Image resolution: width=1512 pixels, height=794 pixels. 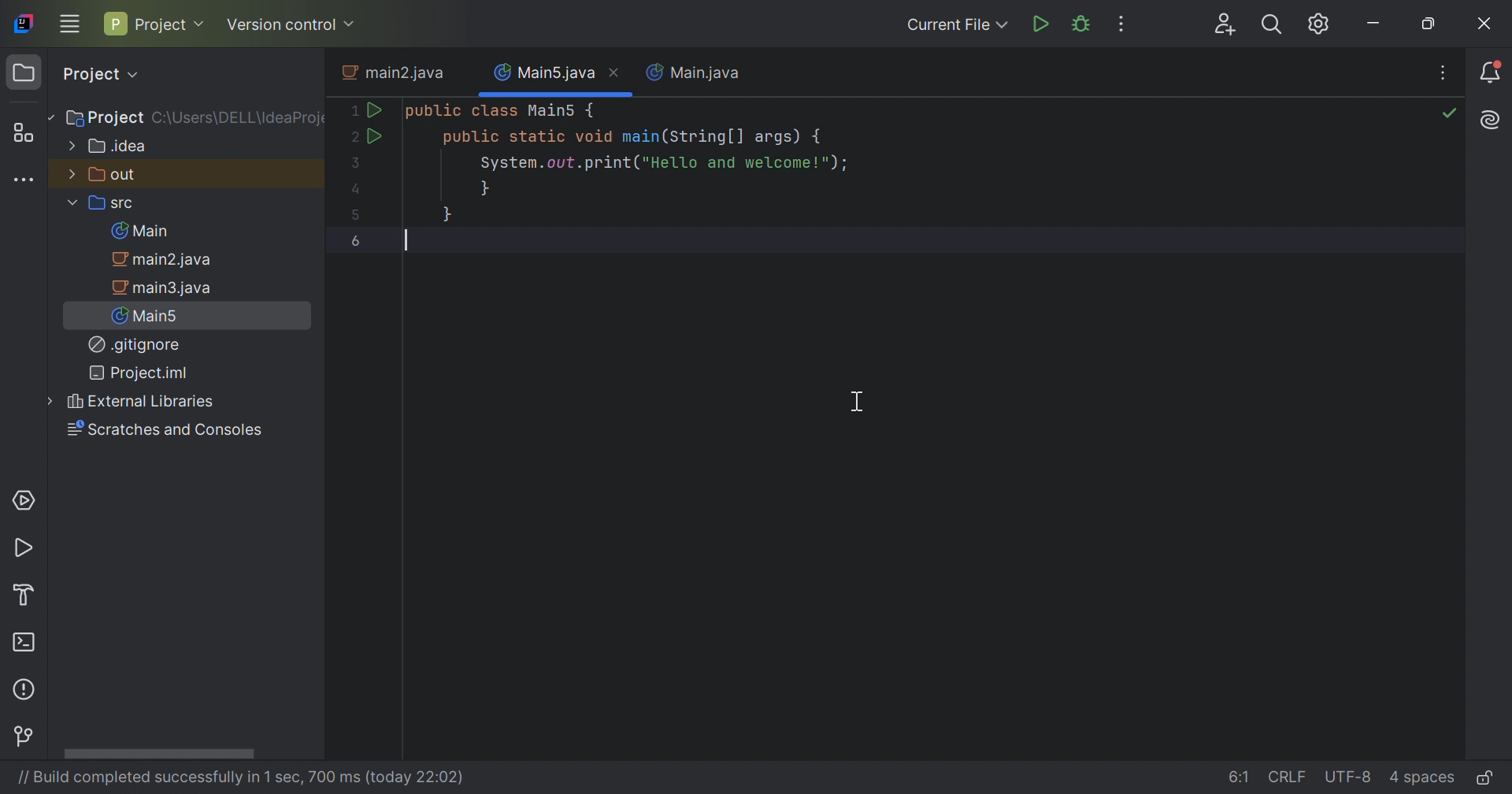 What do you see at coordinates (1043, 24) in the screenshot?
I see `Run` at bounding box center [1043, 24].